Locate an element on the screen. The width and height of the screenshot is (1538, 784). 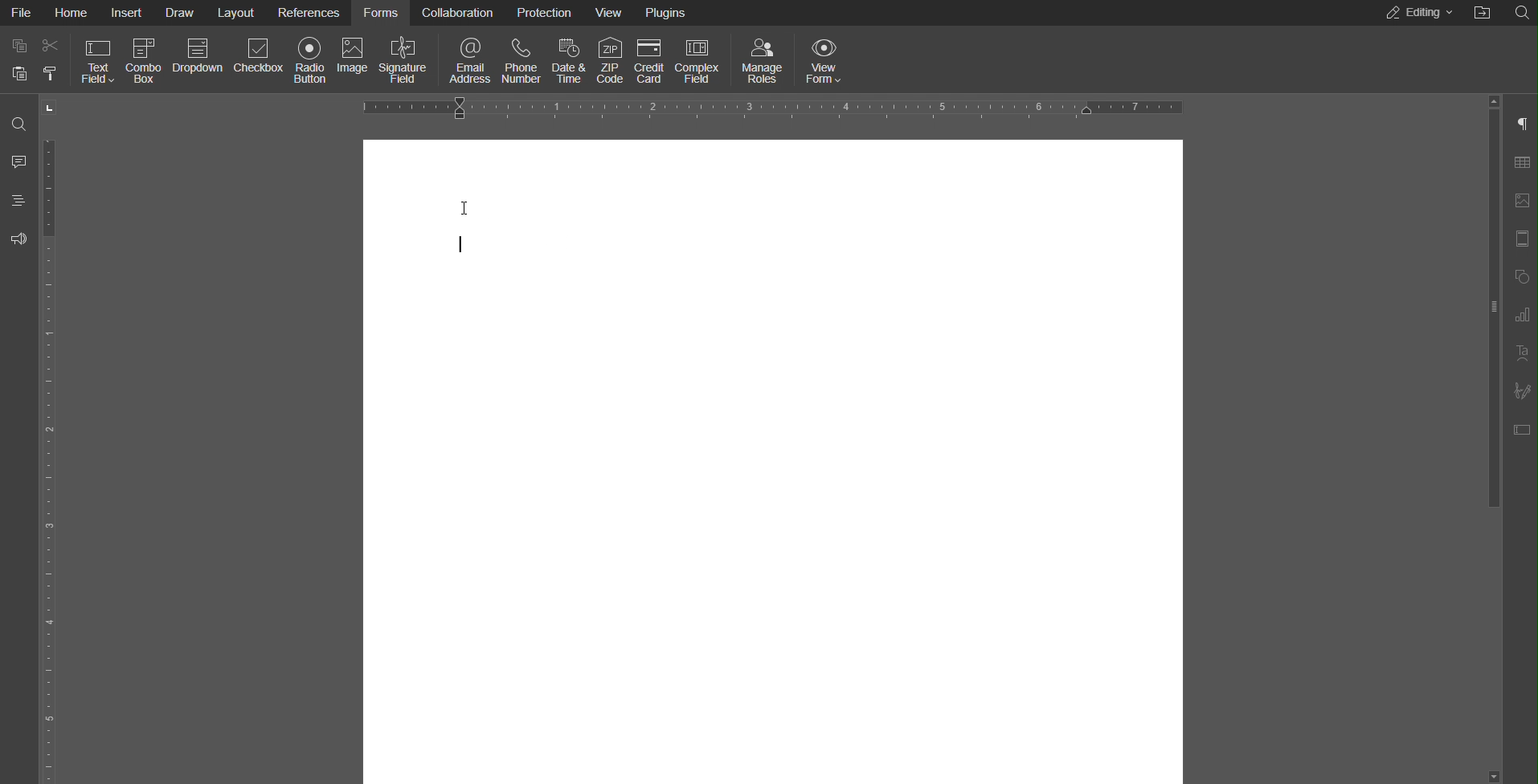
Email Address is located at coordinates (465, 59).